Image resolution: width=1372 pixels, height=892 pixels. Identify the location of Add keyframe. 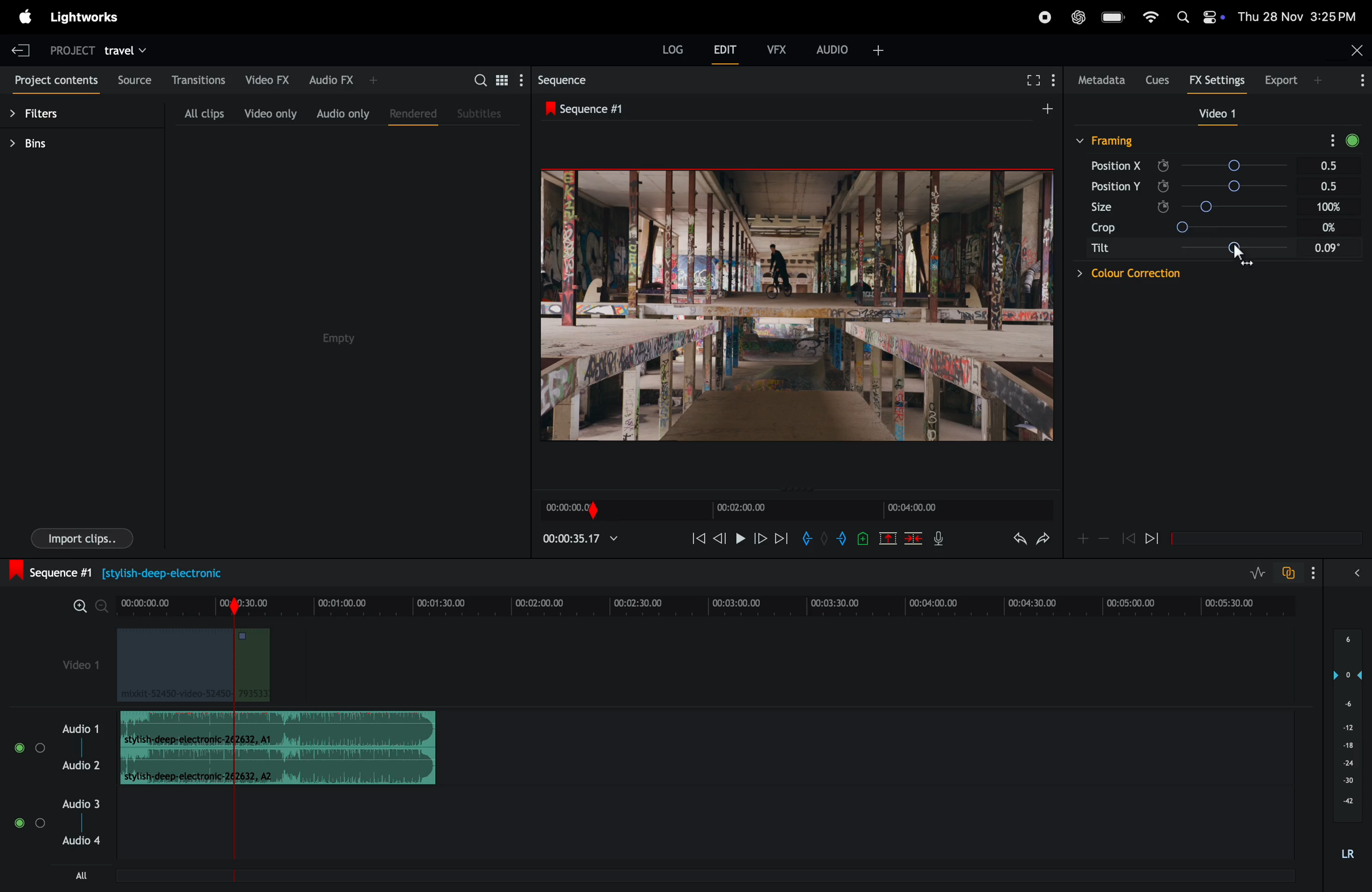
(1082, 541).